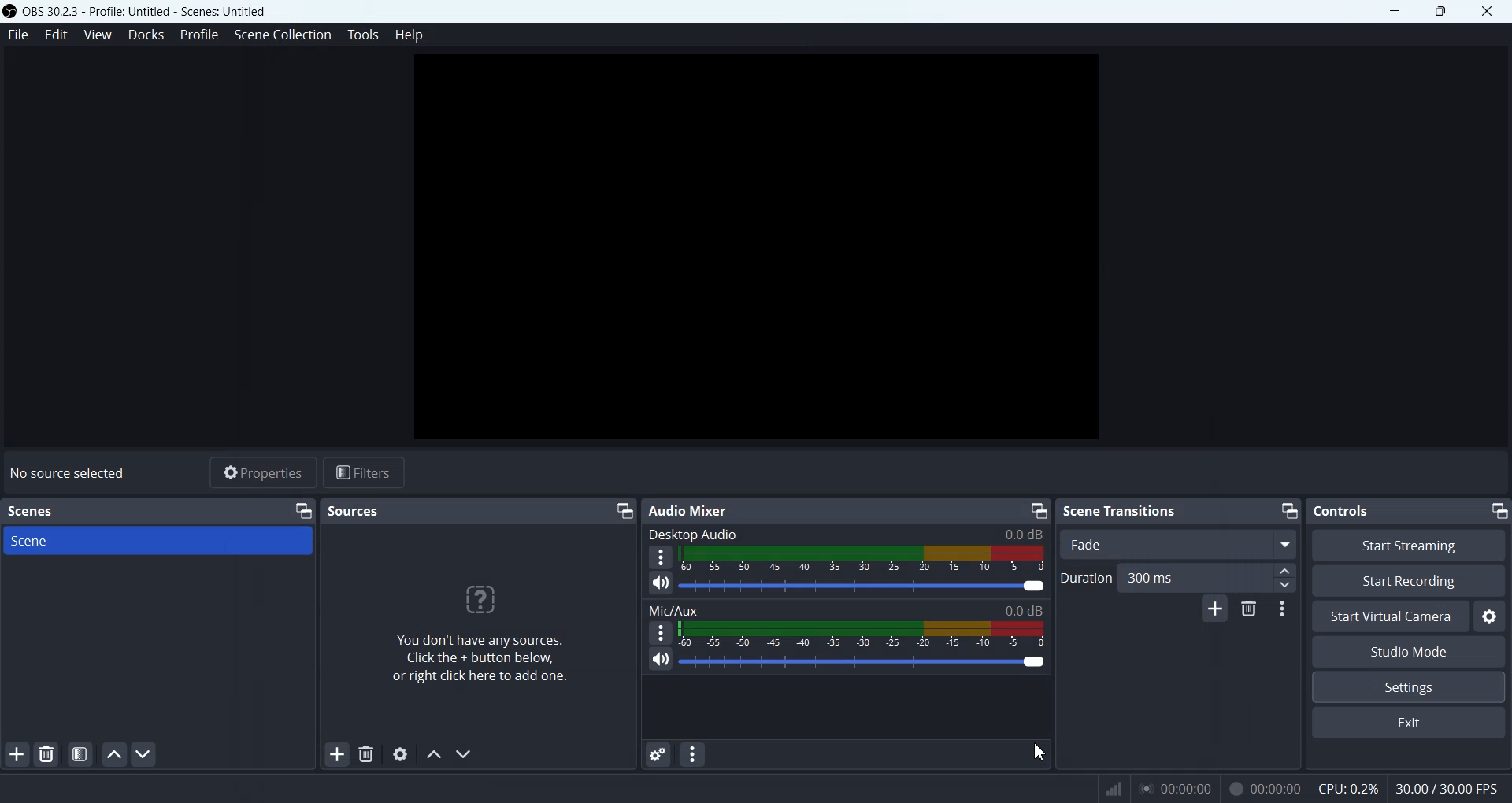 This screenshot has height=803, width=1512. Describe the element at coordinates (16, 754) in the screenshot. I see `Add Scene` at that location.